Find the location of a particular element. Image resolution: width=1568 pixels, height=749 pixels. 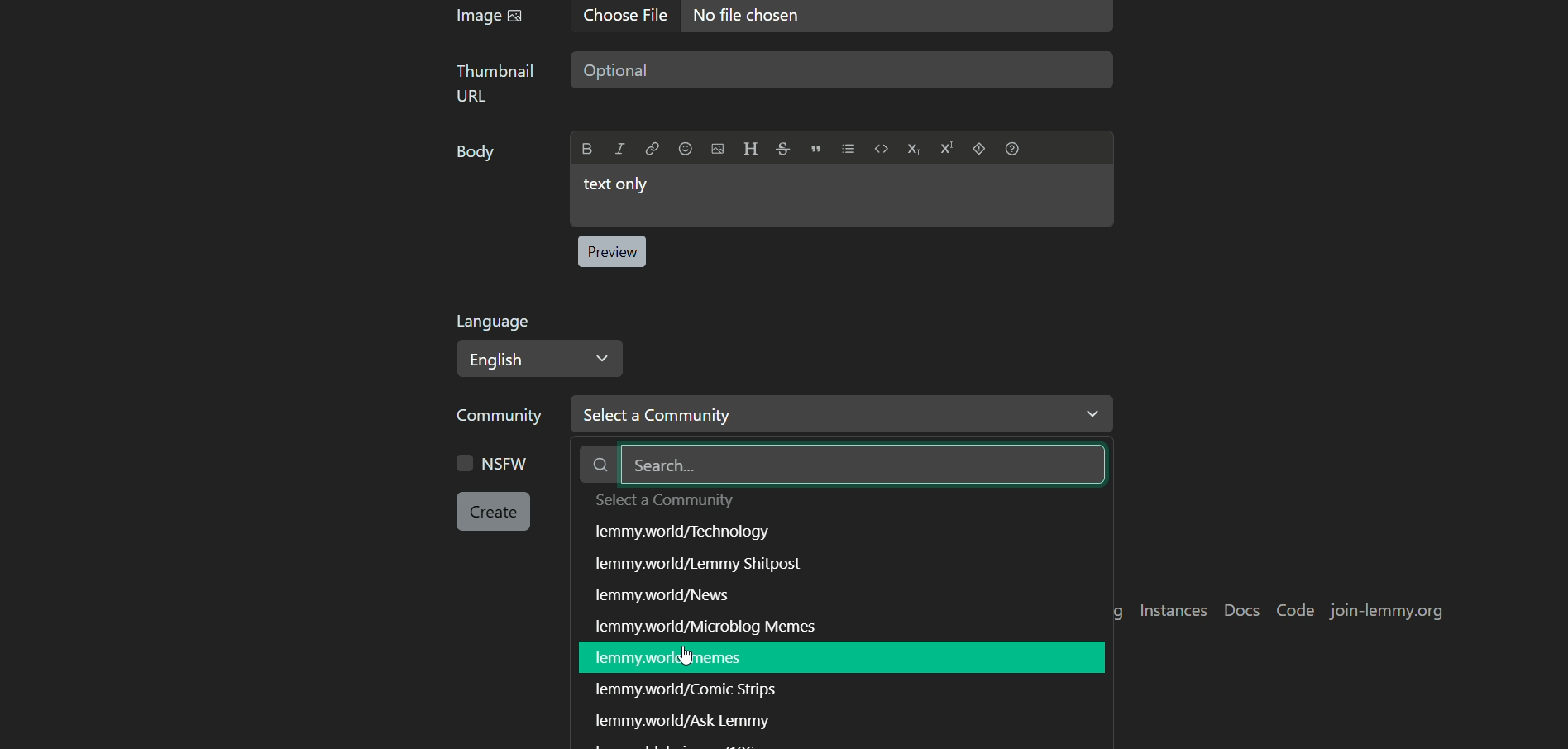

search is located at coordinates (846, 465).